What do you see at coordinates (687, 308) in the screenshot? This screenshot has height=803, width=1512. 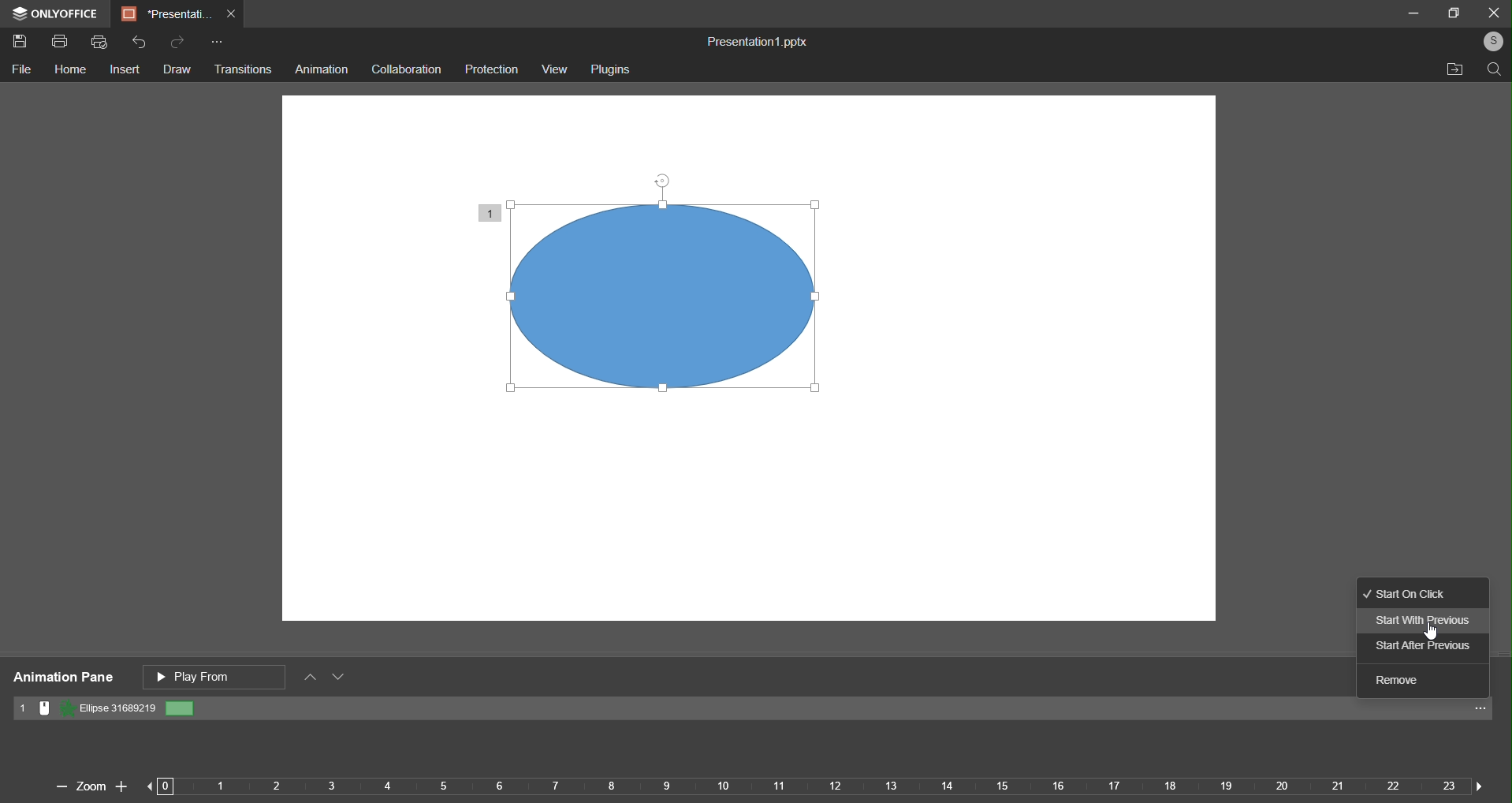 I see `object` at bounding box center [687, 308].